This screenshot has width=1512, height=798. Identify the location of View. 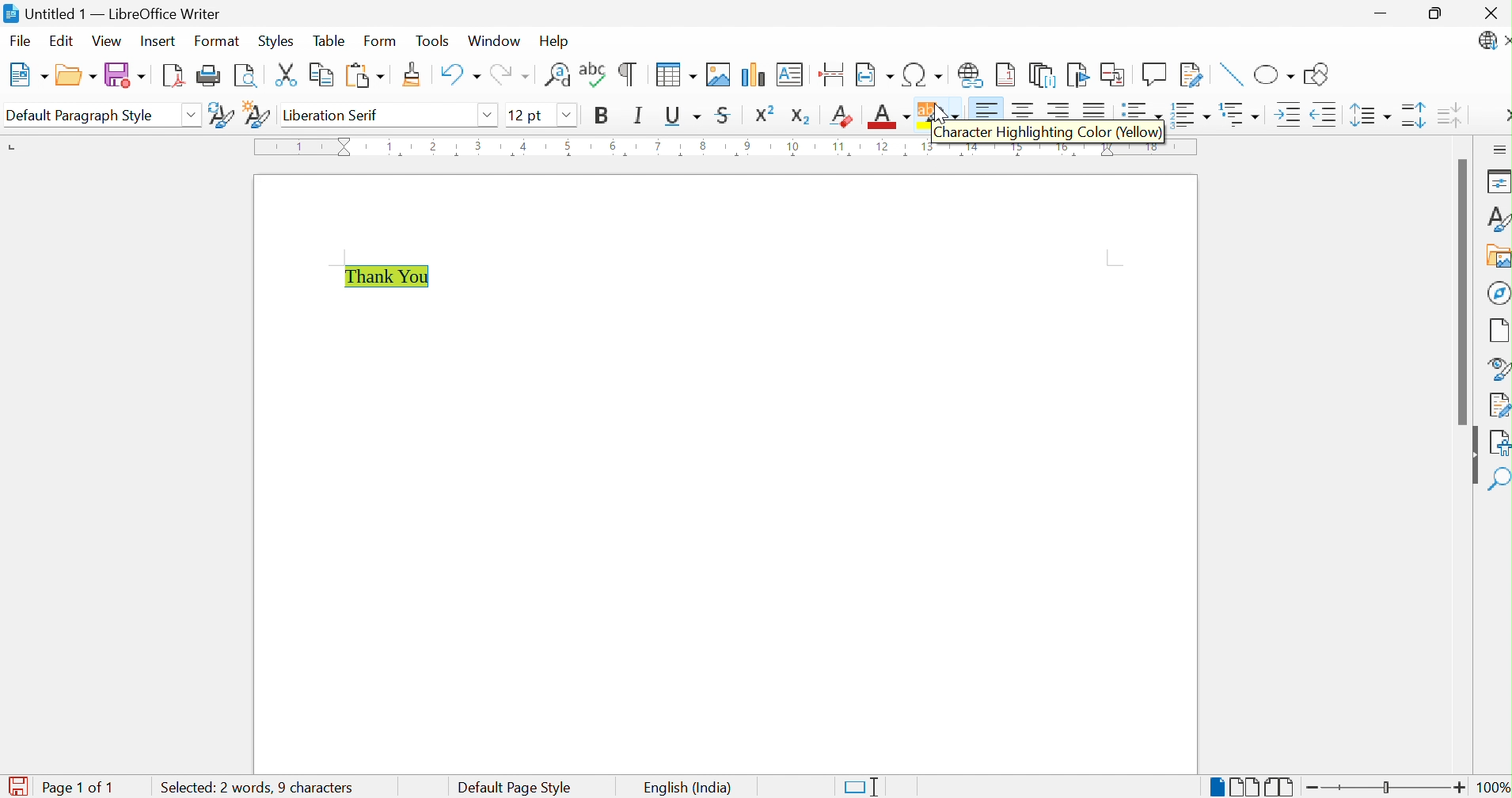
(108, 42).